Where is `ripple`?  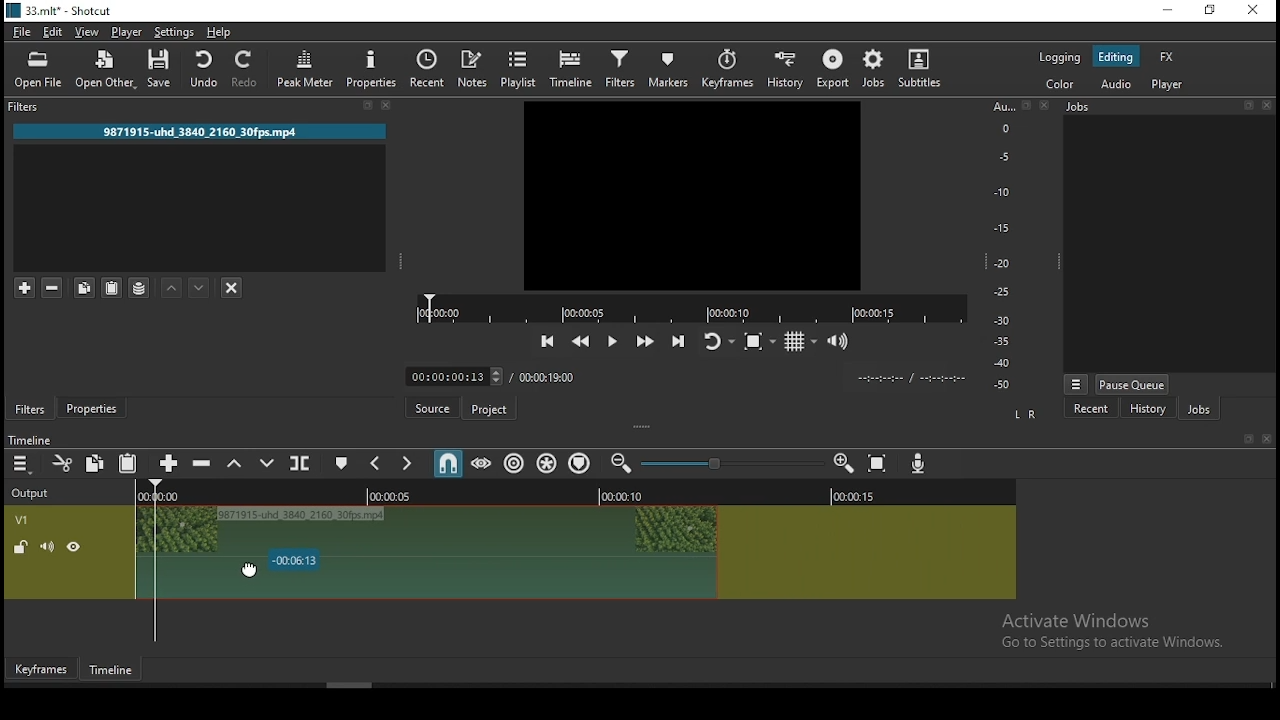 ripple is located at coordinates (516, 464).